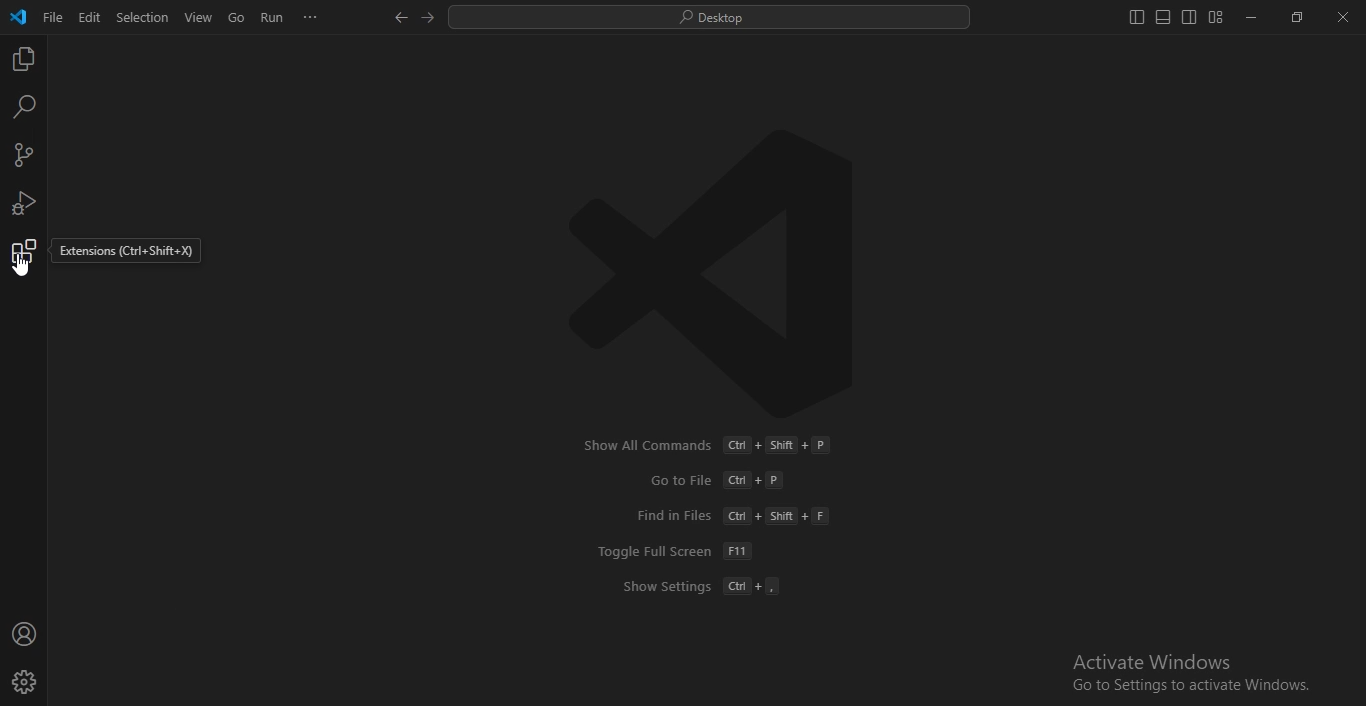 The height and width of the screenshot is (706, 1366). What do you see at coordinates (24, 156) in the screenshot?
I see `source control` at bounding box center [24, 156].